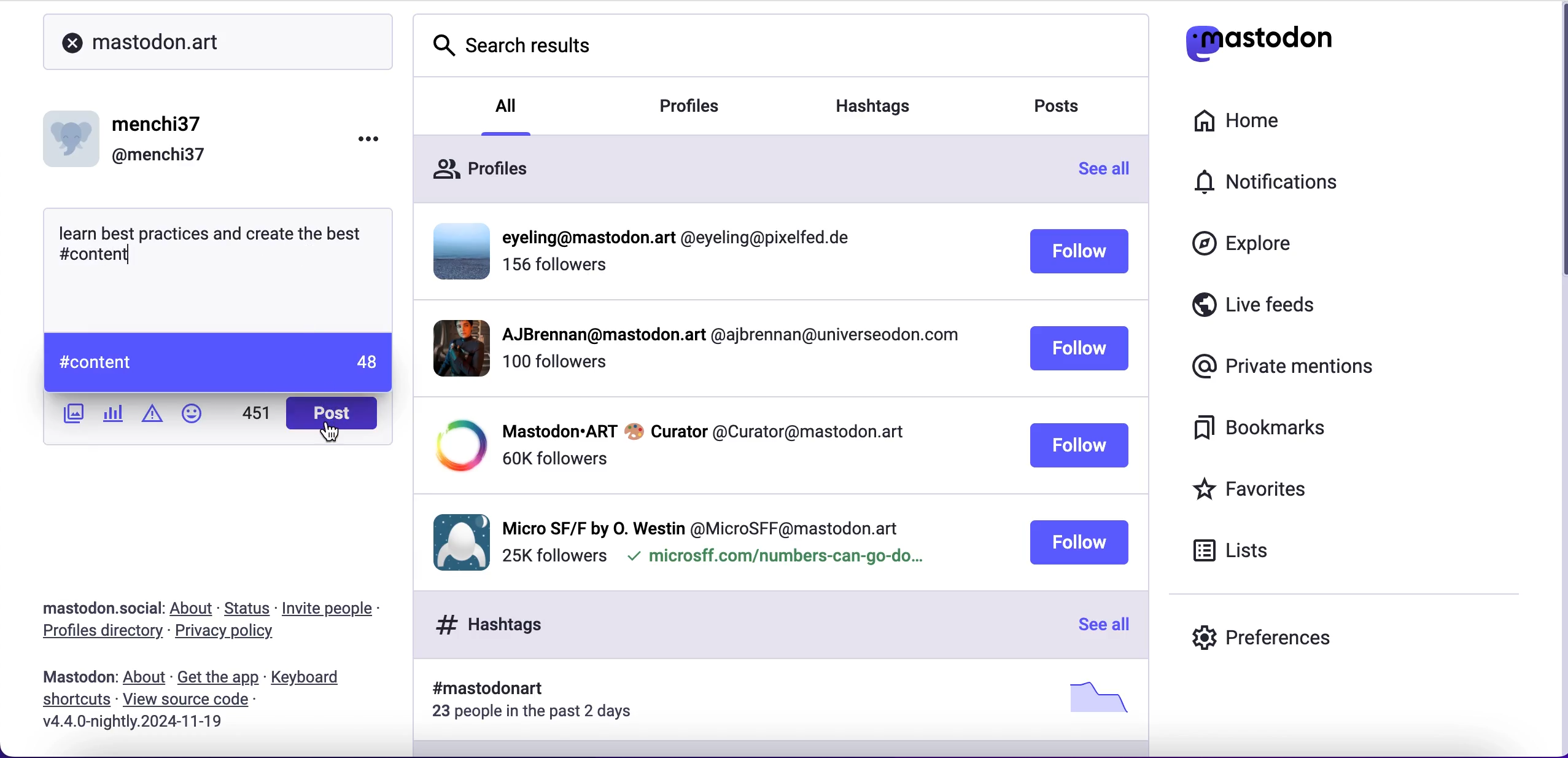 The height and width of the screenshot is (758, 1568). Describe the element at coordinates (1278, 367) in the screenshot. I see `private mentions` at that location.